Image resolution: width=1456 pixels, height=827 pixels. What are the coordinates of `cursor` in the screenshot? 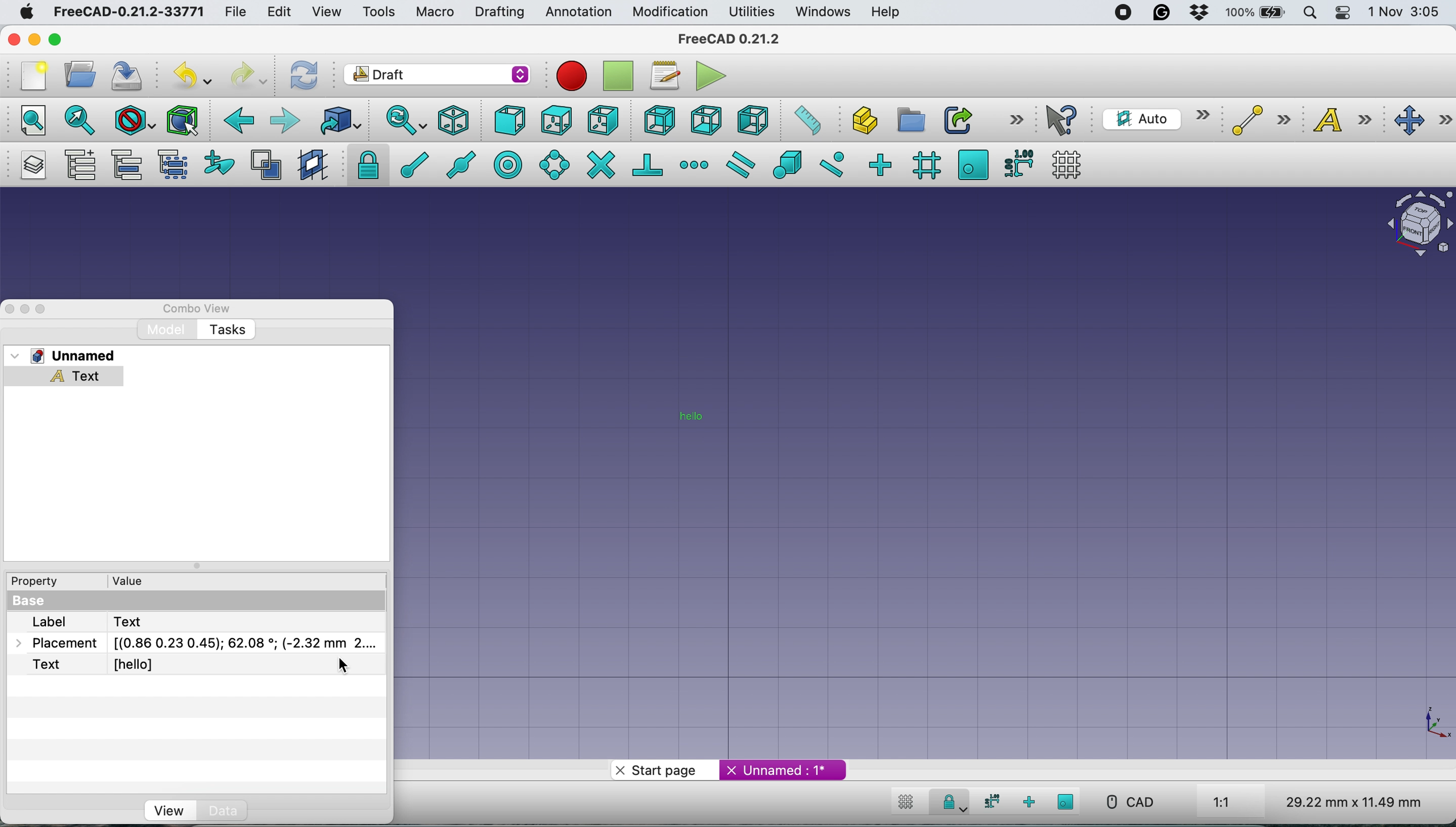 It's located at (340, 666).